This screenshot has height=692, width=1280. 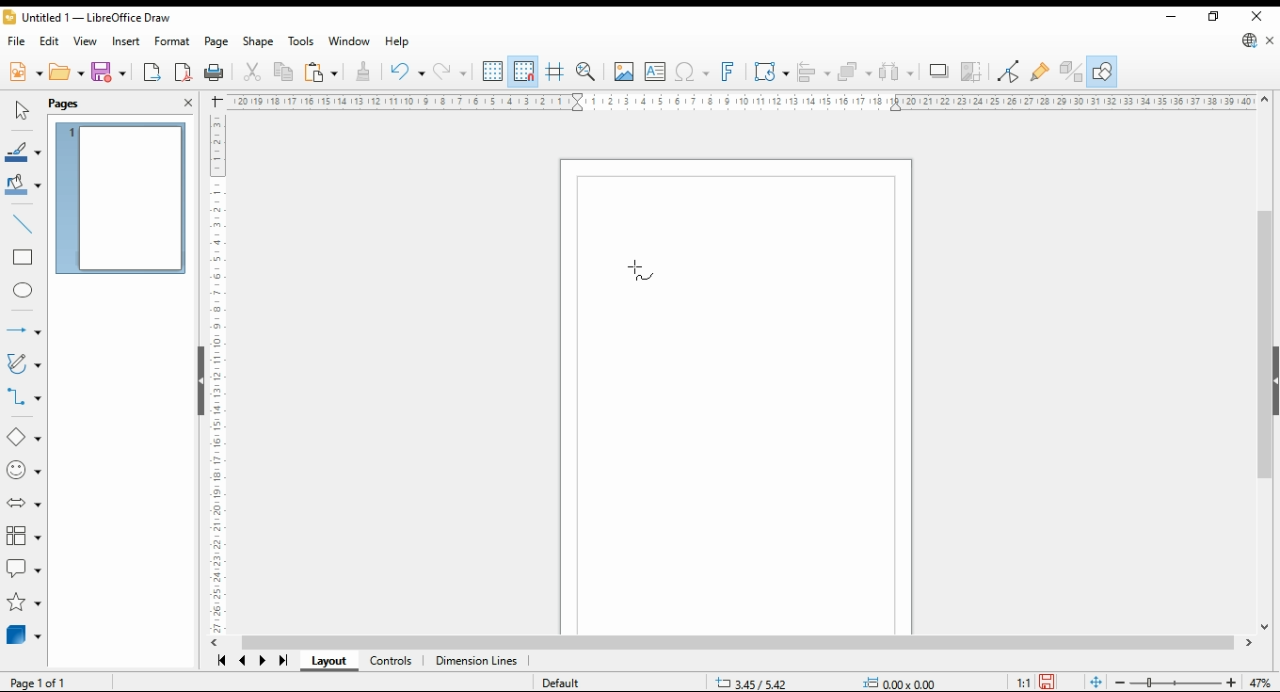 What do you see at coordinates (1041, 72) in the screenshot?
I see `show gluepoint functions` at bounding box center [1041, 72].